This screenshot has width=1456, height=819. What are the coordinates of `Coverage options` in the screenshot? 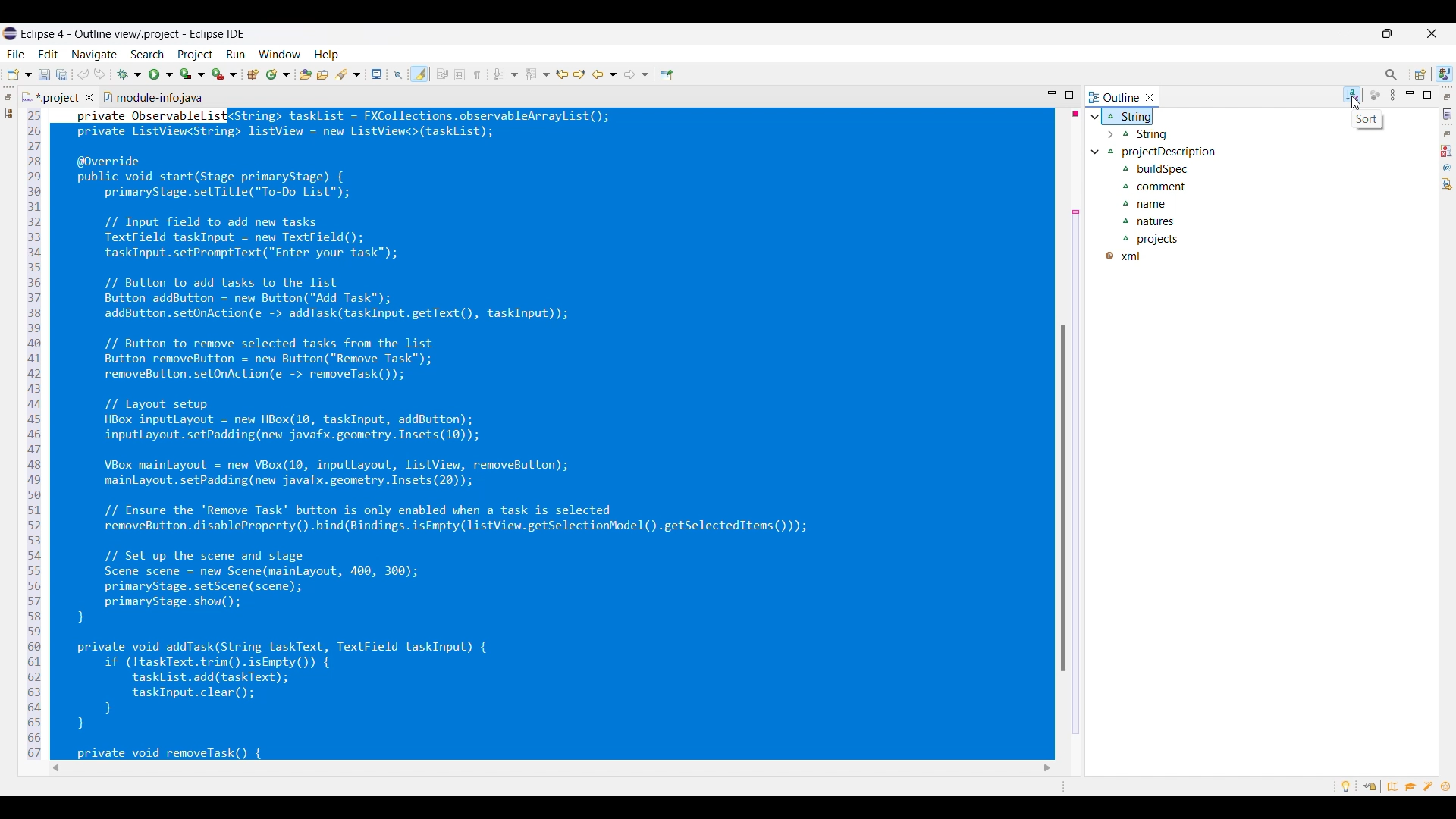 It's located at (193, 74).